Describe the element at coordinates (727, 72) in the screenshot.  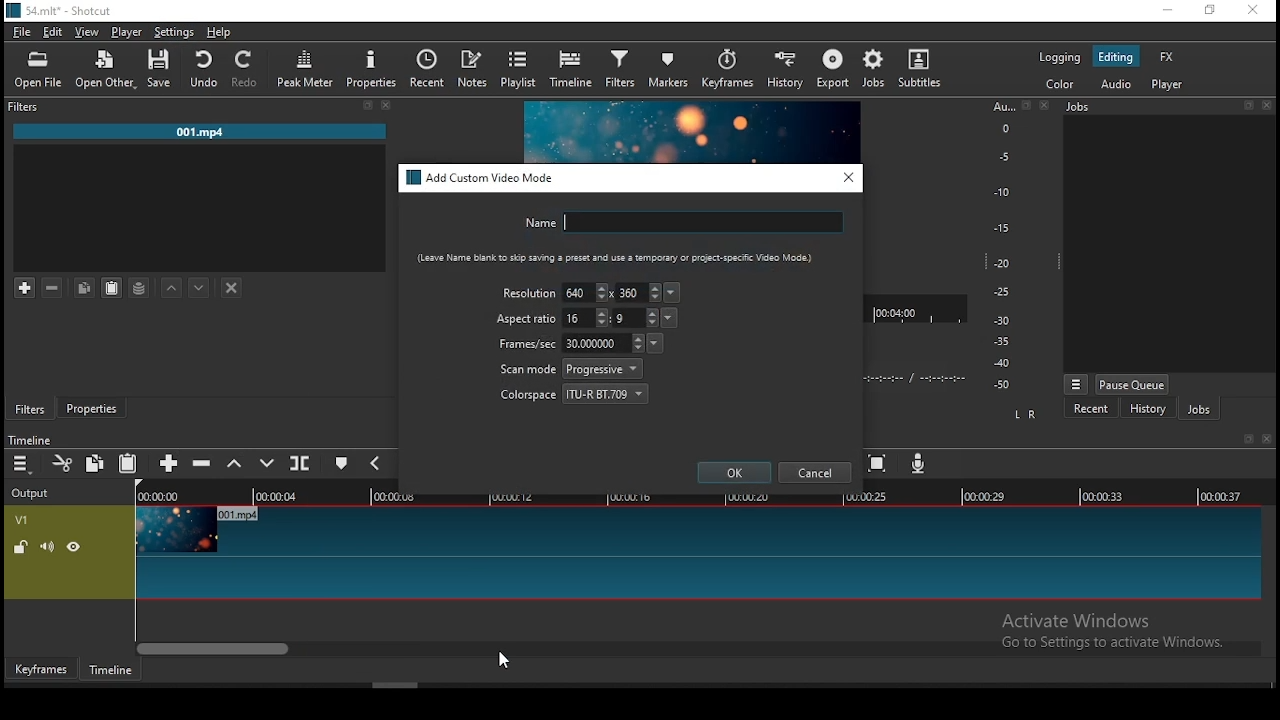
I see `keyframes` at that location.